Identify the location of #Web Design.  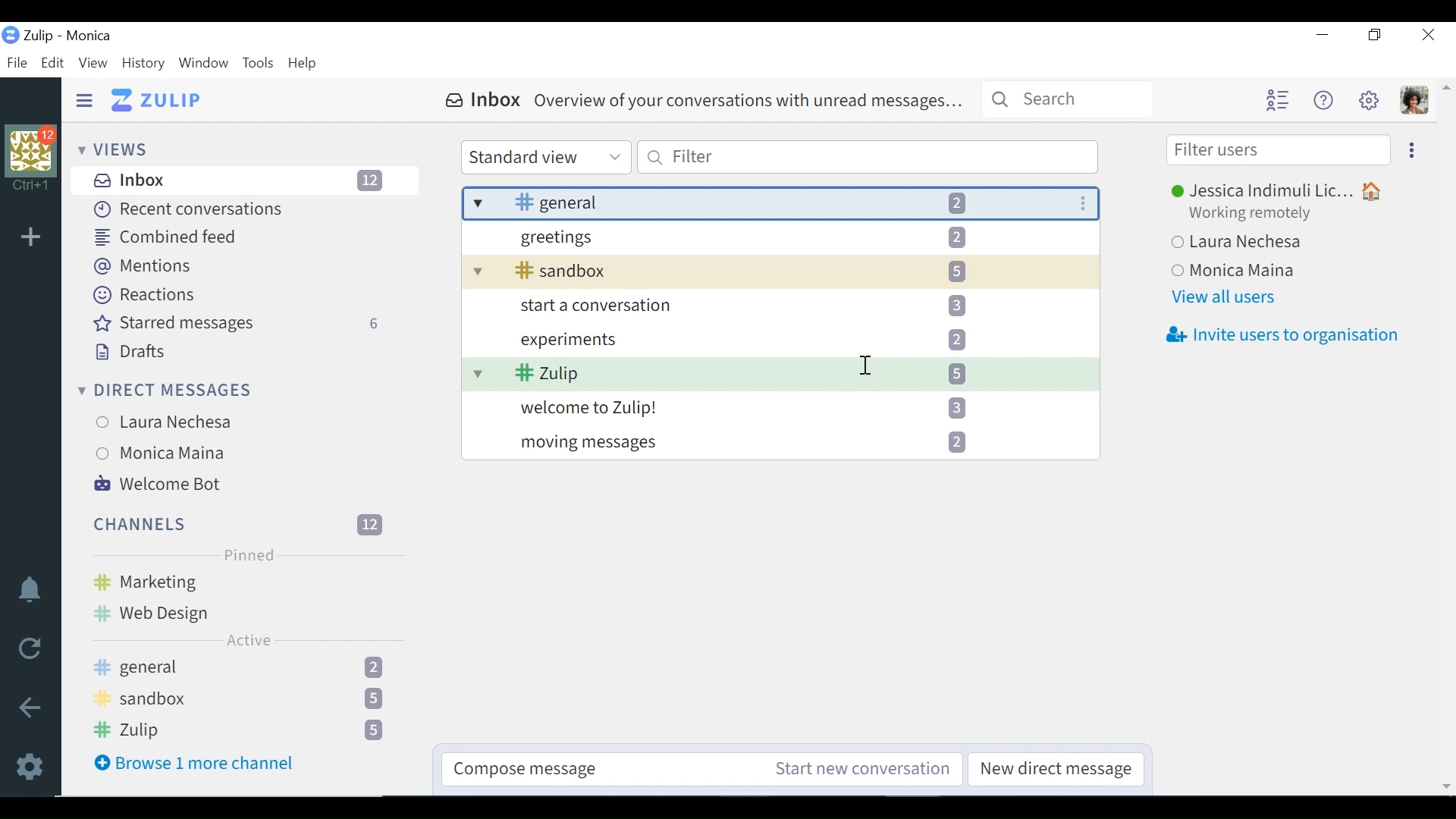
(153, 613).